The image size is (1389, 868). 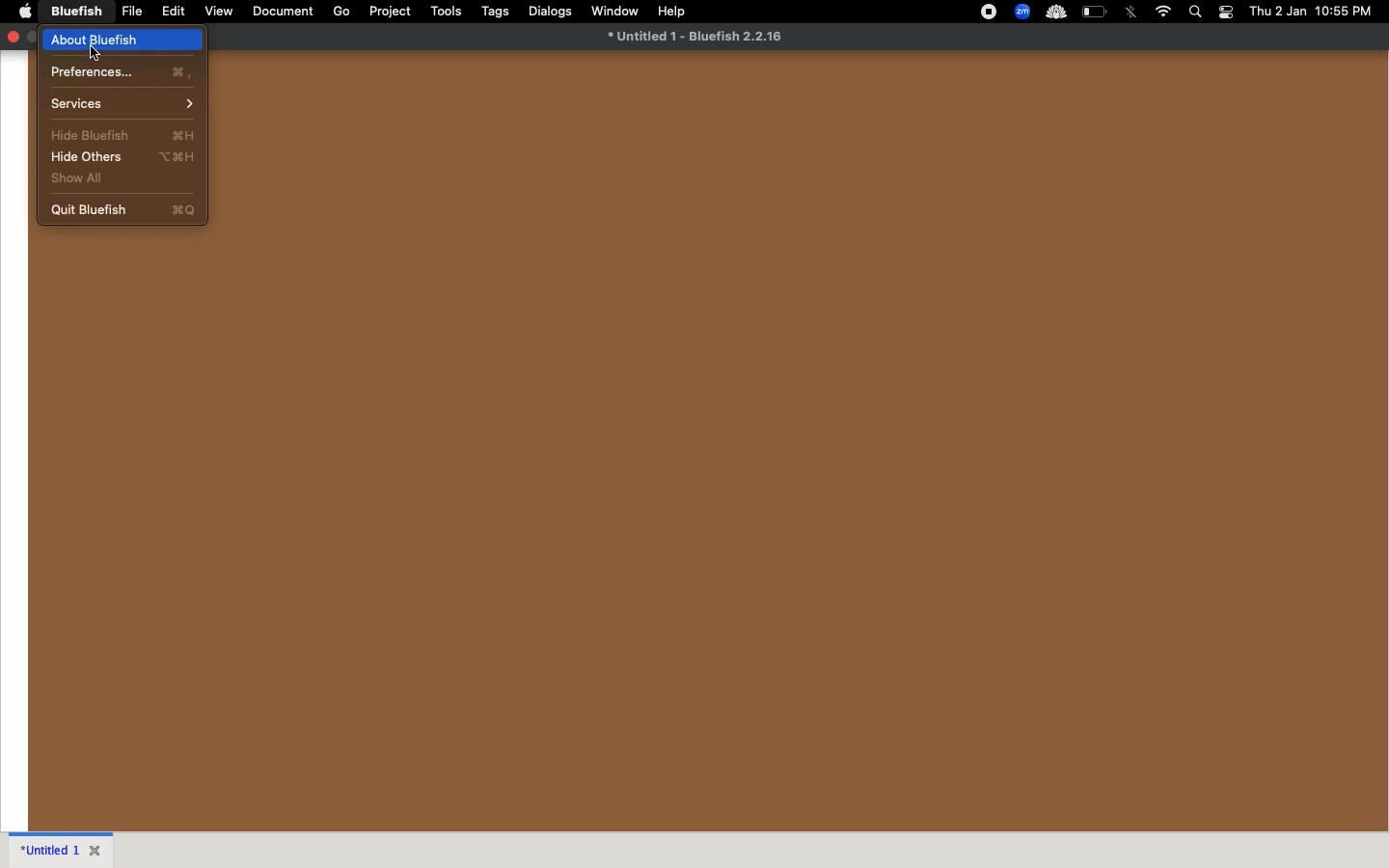 What do you see at coordinates (1023, 12) in the screenshot?
I see `Zoom video calling application` at bounding box center [1023, 12].